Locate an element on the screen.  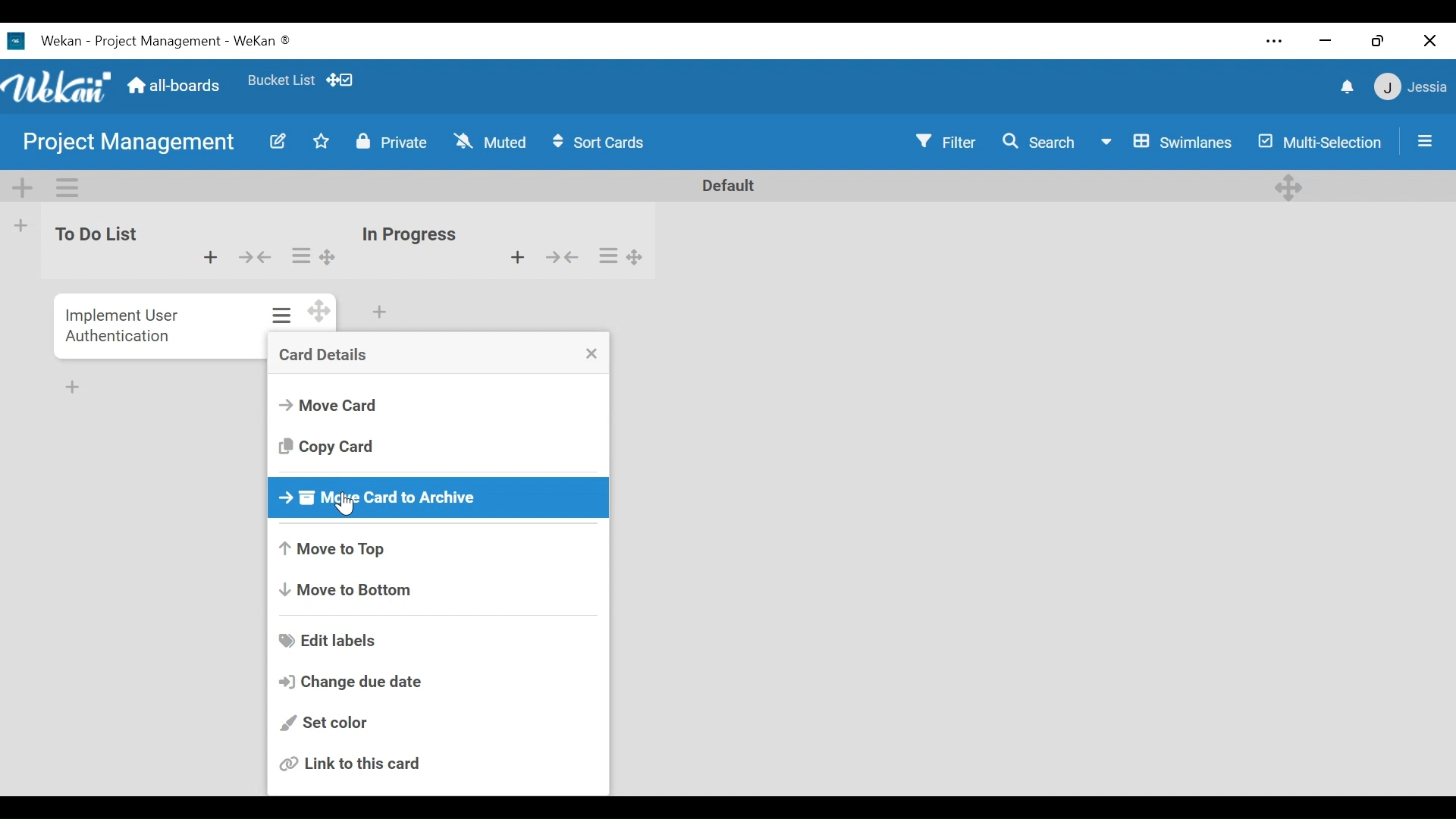
Show Desktop drag handles is located at coordinates (344, 80).